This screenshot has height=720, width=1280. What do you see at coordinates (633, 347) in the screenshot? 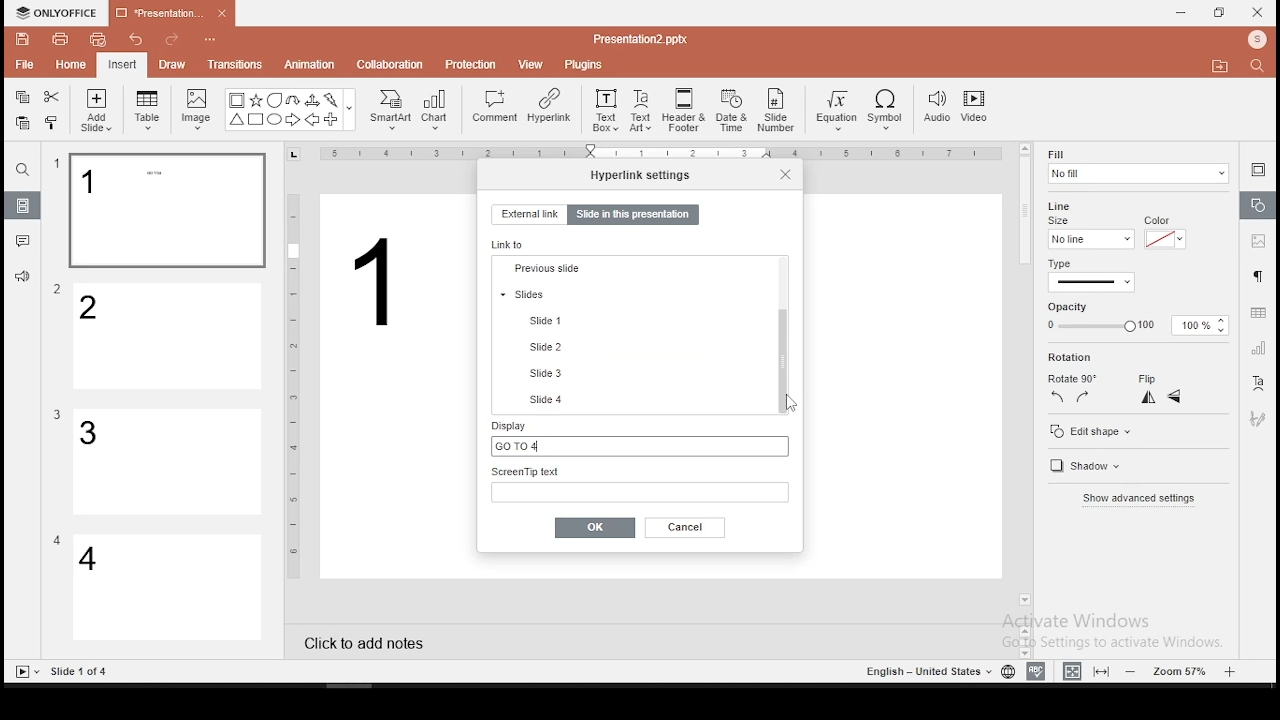
I see `previous slide` at bounding box center [633, 347].